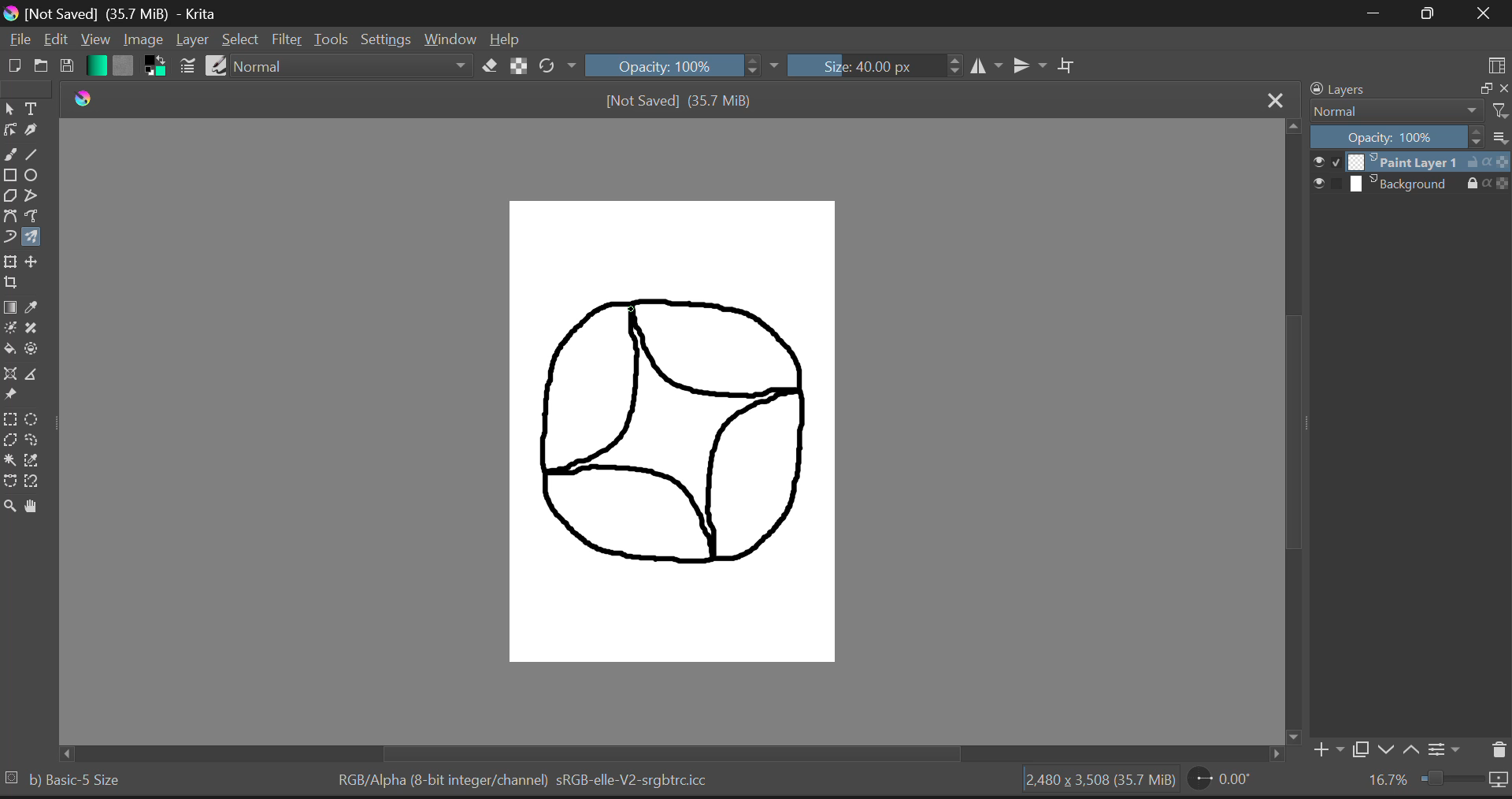 The width and height of the screenshot is (1512, 799). Describe the element at coordinates (449, 40) in the screenshot. I see `Window` at that location.